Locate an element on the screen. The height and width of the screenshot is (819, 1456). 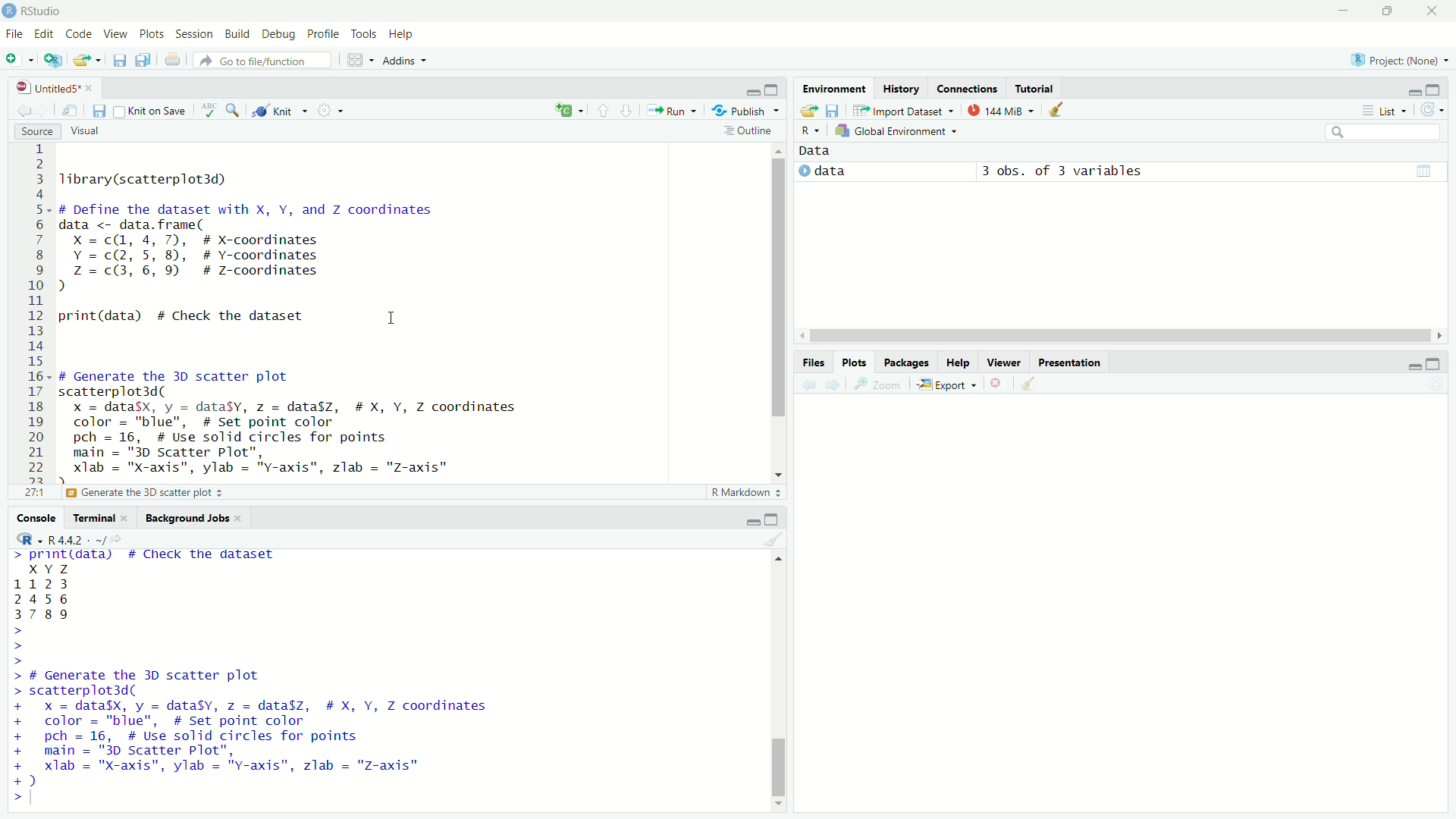
search bar is located at coordinates (1383, 132).